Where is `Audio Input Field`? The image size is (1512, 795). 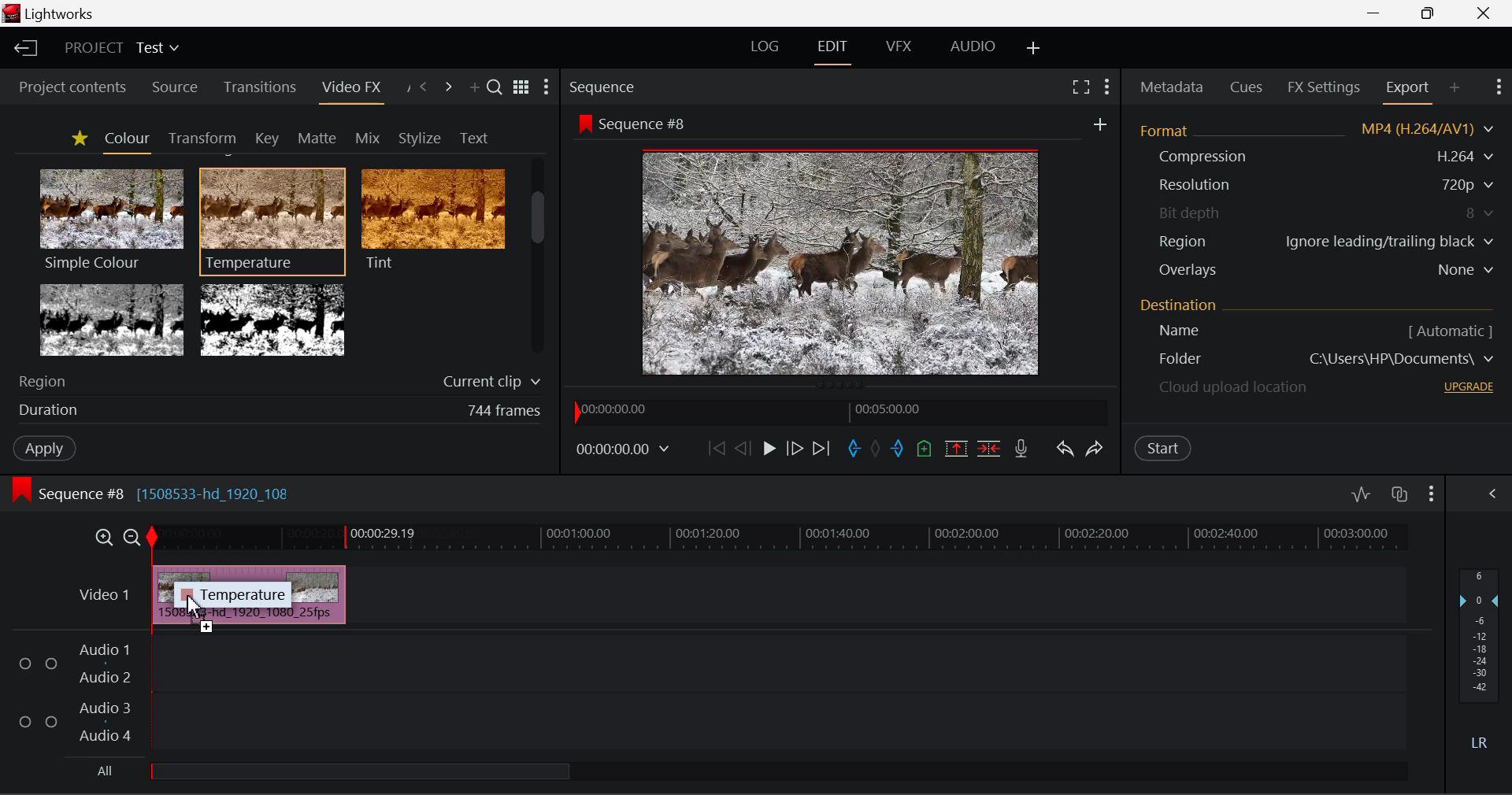
Audio Input Field is located at coordinates (776, 691).